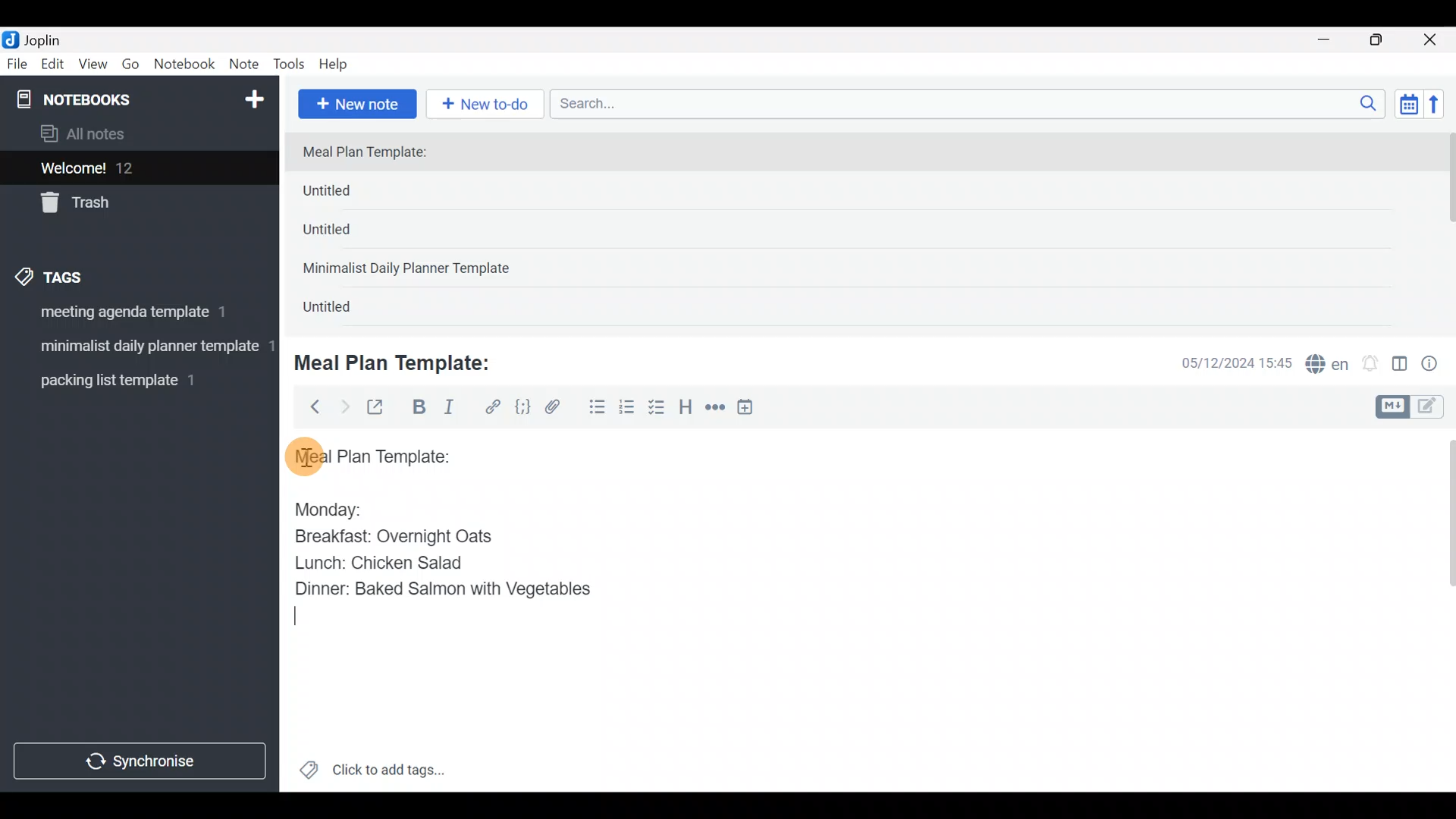 The width and height of the screenshot is (1456, 819). Describe the element at coordinates (367, 454) in the screenshot. I see `Meal plan template` at that location.